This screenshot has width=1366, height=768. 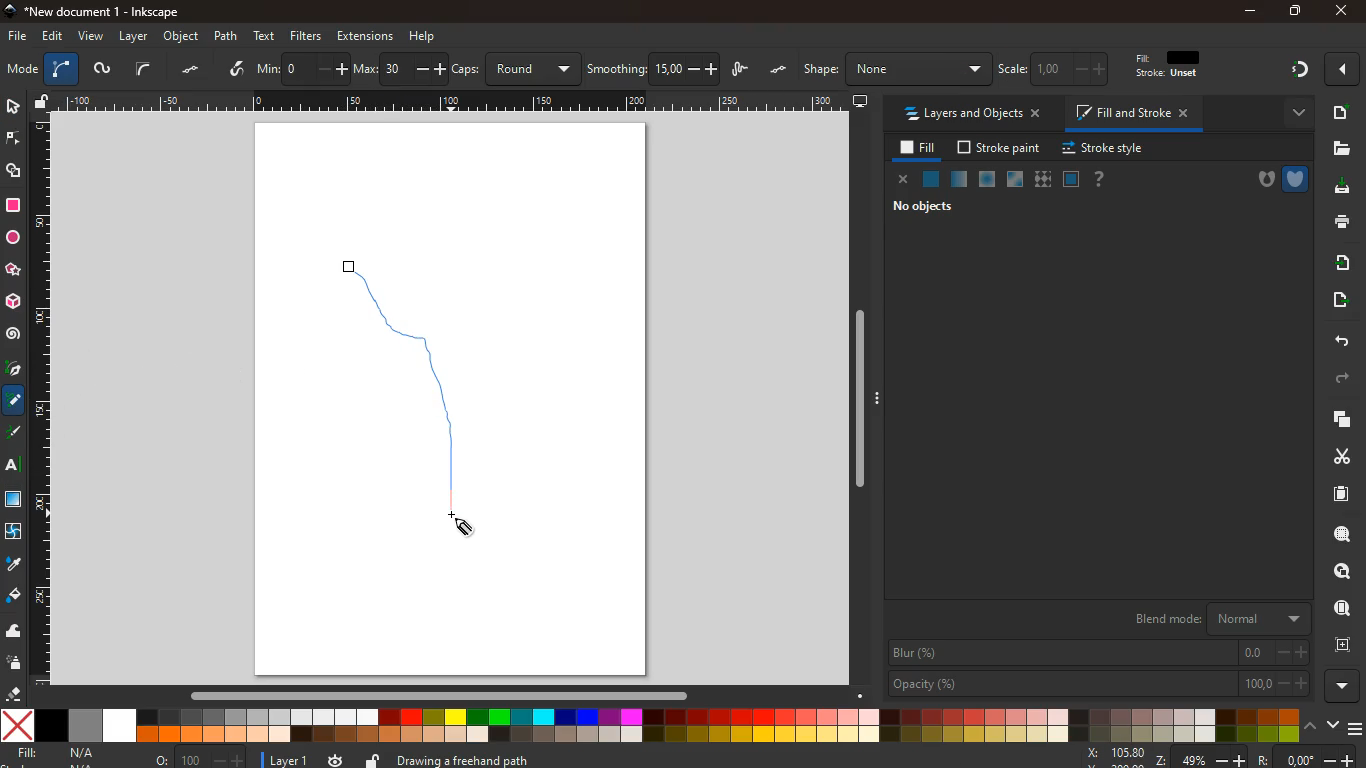 I want to click on shape, so click(x=15, y=170).